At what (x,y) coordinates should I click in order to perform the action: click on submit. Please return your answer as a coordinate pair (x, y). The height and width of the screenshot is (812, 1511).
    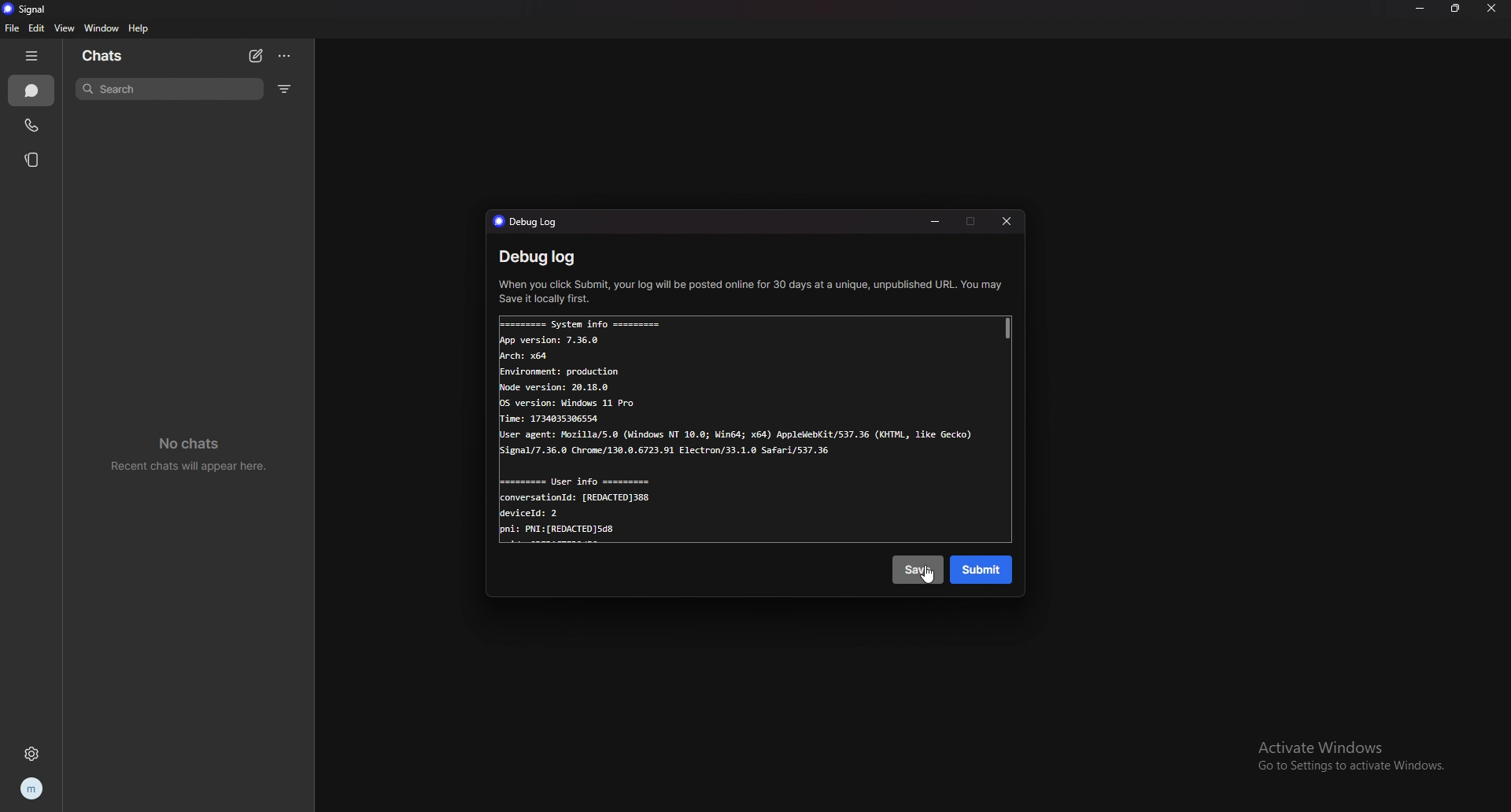
    Looking at the image, I should click on (983, 570).